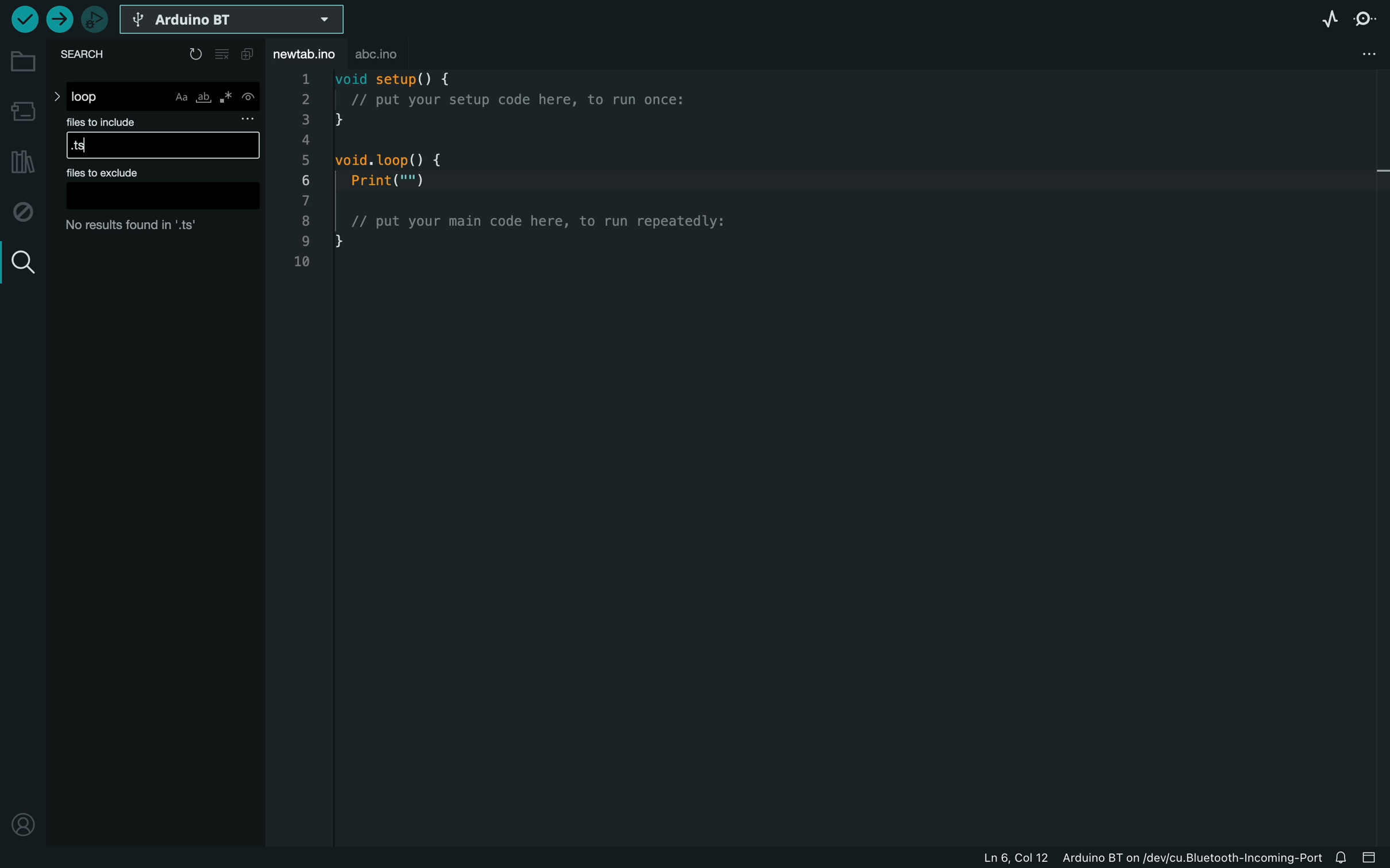 This screenshot has height=868, width=1390. I want to click on no result found, so click(135, 226).